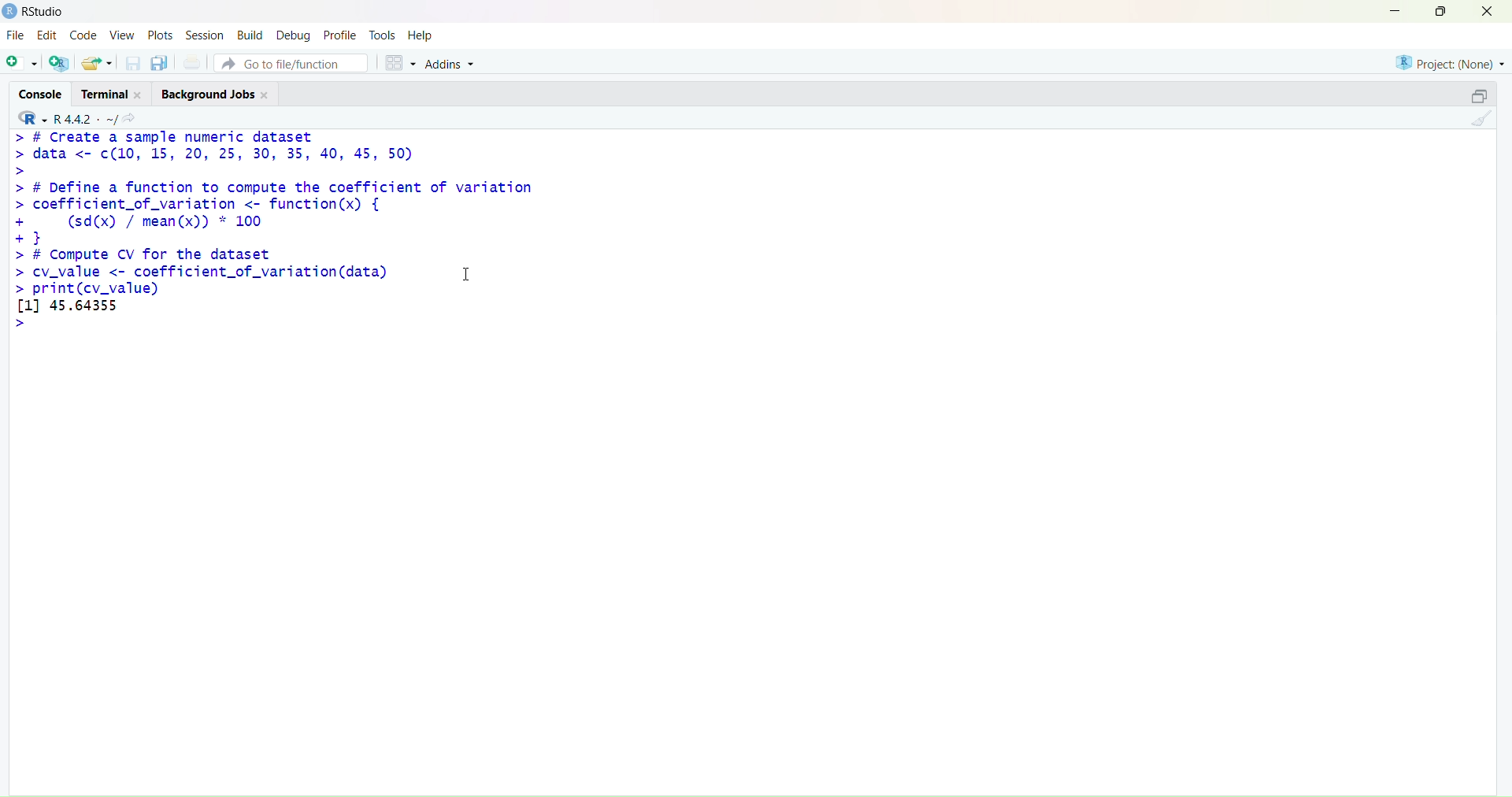 Image resolution: width=1512 pixels, height=797 pixels. Describe the element at coordinates (98, 63) in the screenshot. I see `share folder as` at that location.